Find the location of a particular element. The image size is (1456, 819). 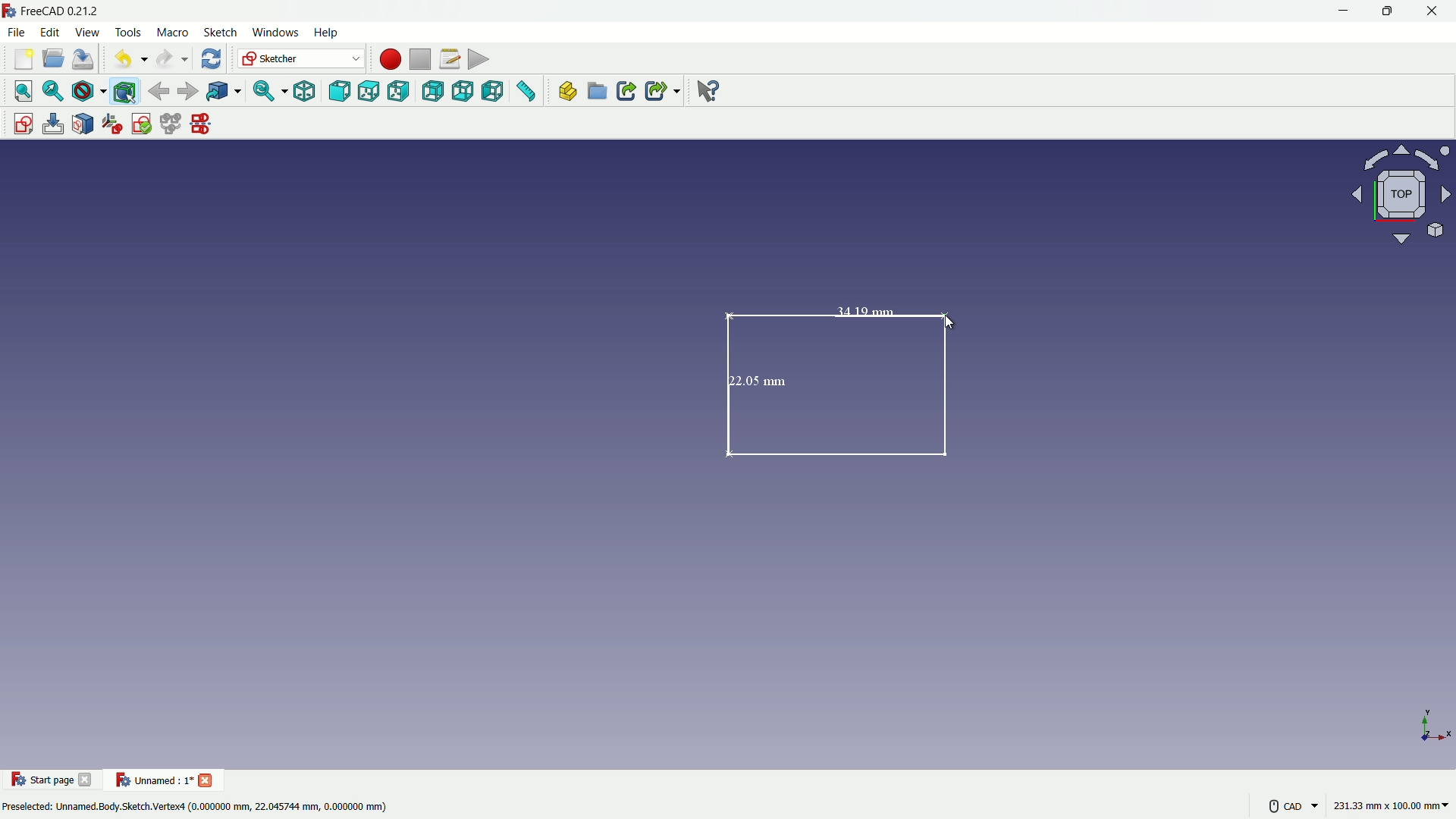

help menu is located at coordinates (328, 33).